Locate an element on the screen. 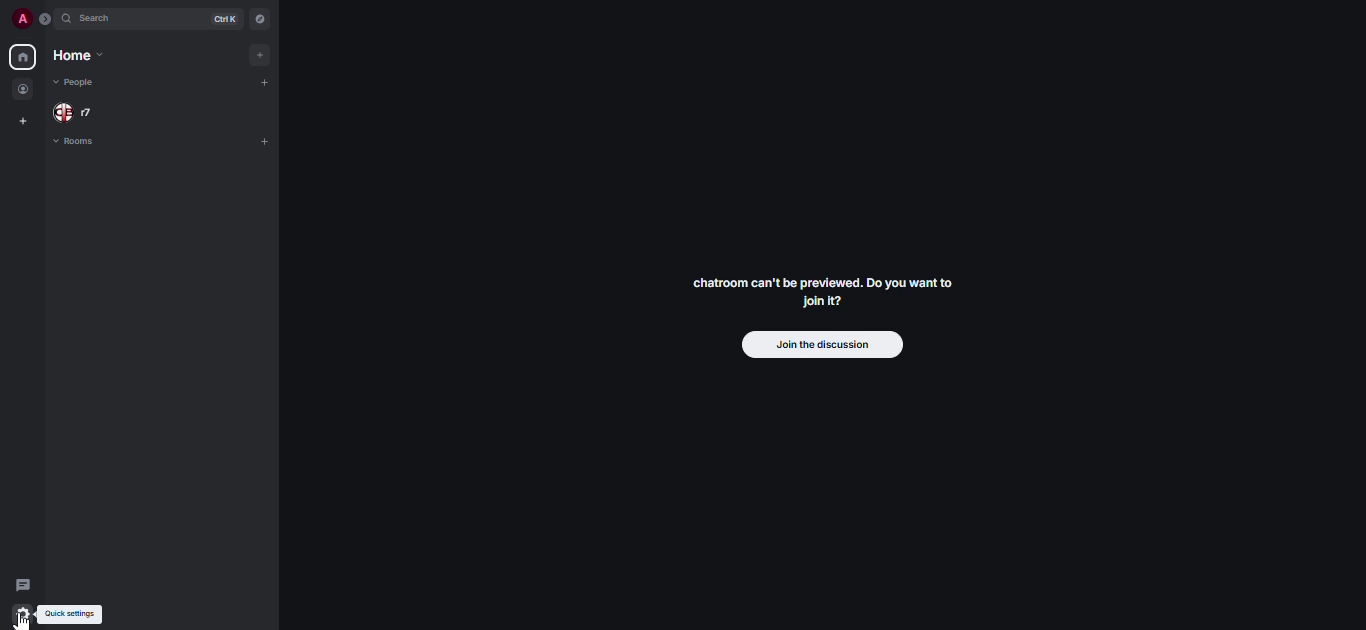 This screenshot has width=1366, height=630. home is located at coordinates (21, 57).